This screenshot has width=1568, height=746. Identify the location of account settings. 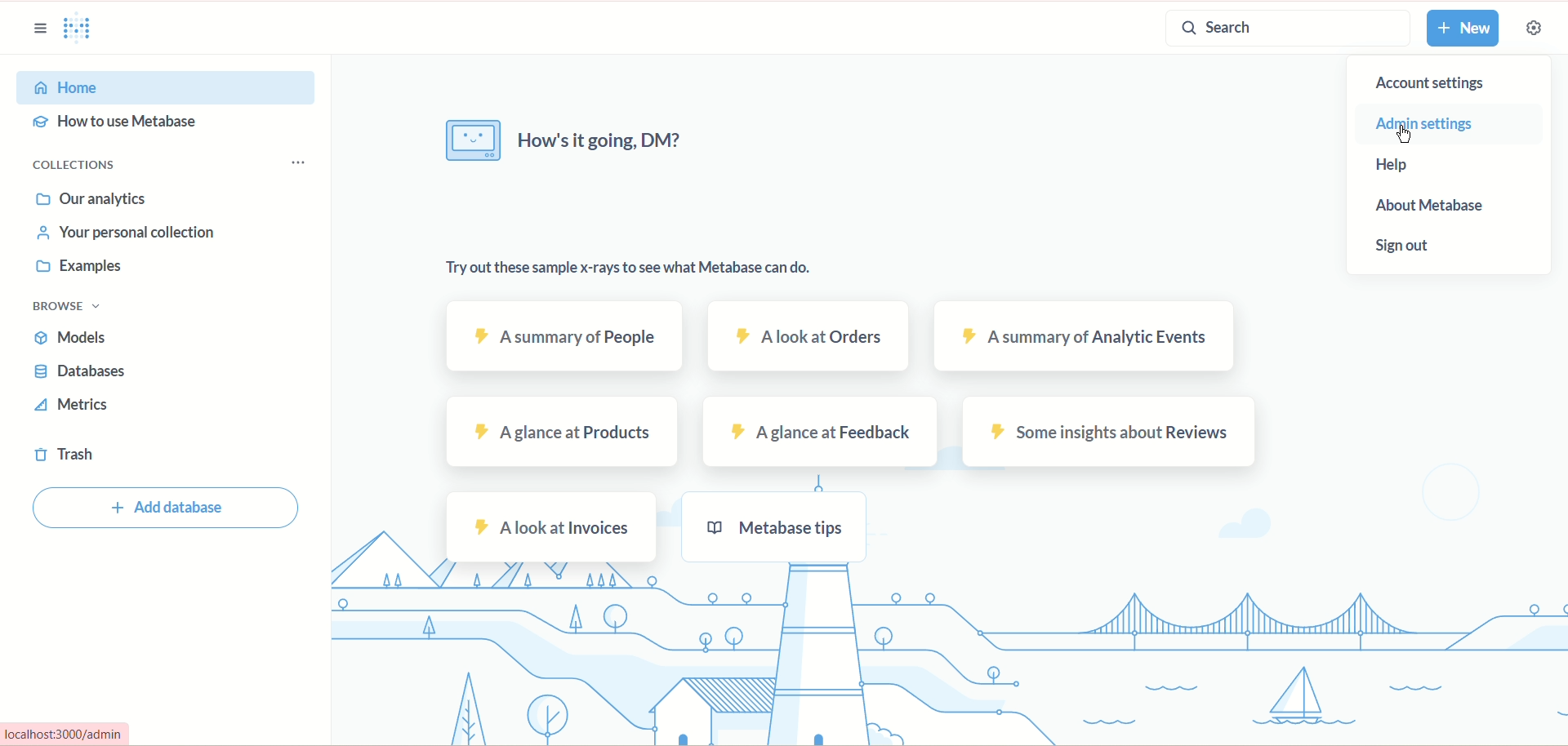
(1428, 85).